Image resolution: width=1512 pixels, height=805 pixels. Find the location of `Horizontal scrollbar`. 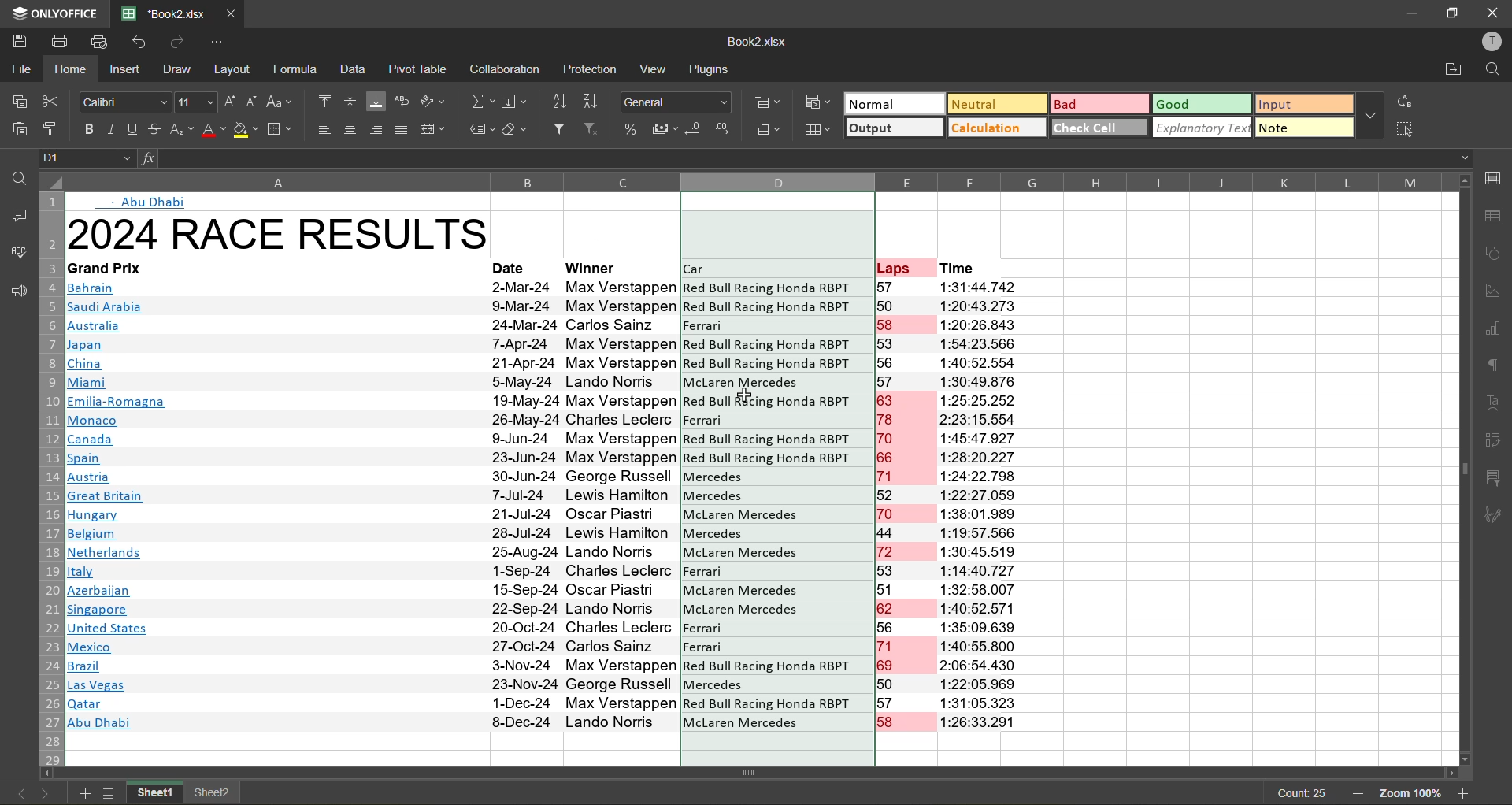

Horizontal scrollbar is located at coordinates (755, 773).